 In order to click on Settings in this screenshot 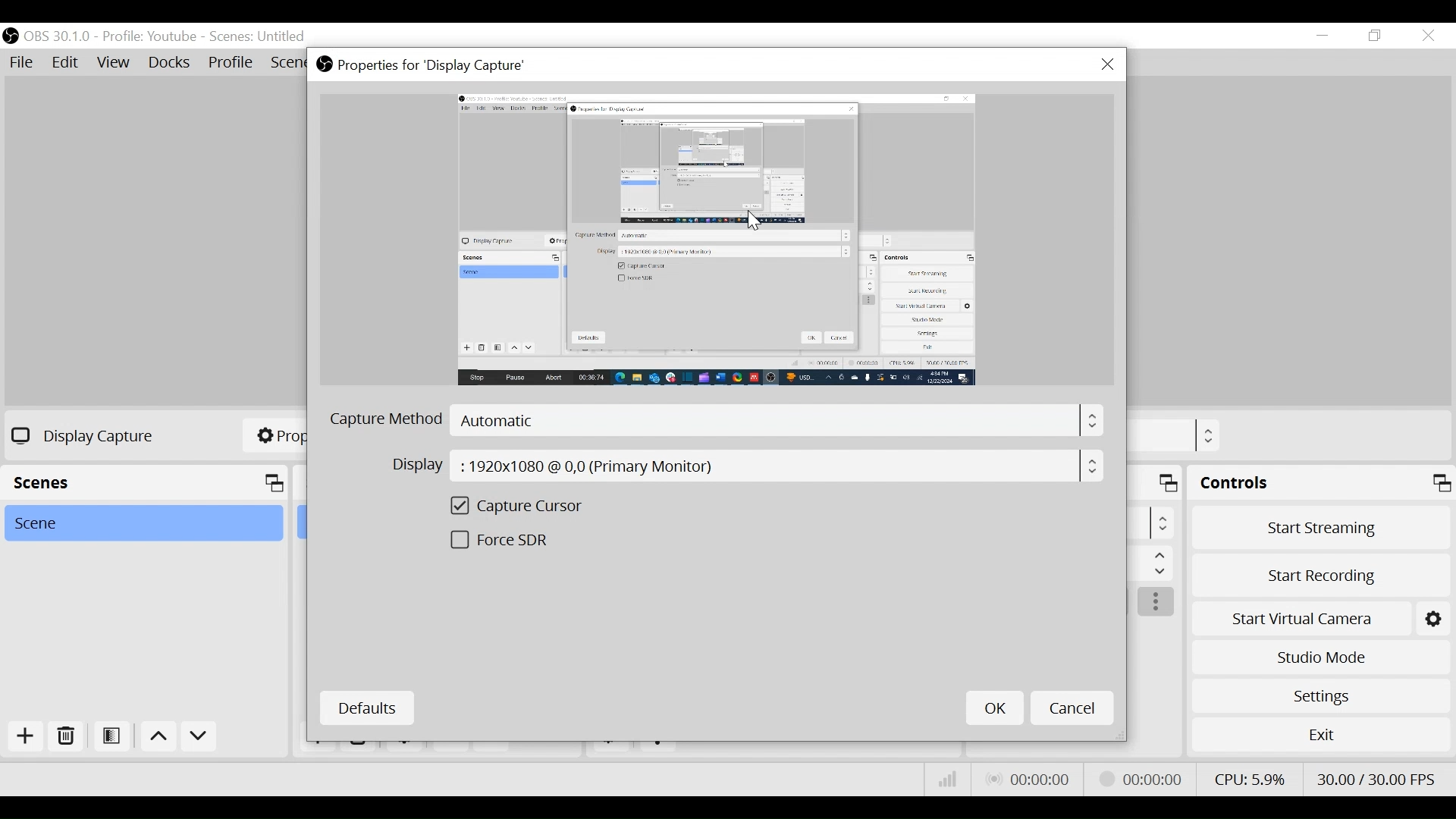, I will do `click(1321, 696)`.